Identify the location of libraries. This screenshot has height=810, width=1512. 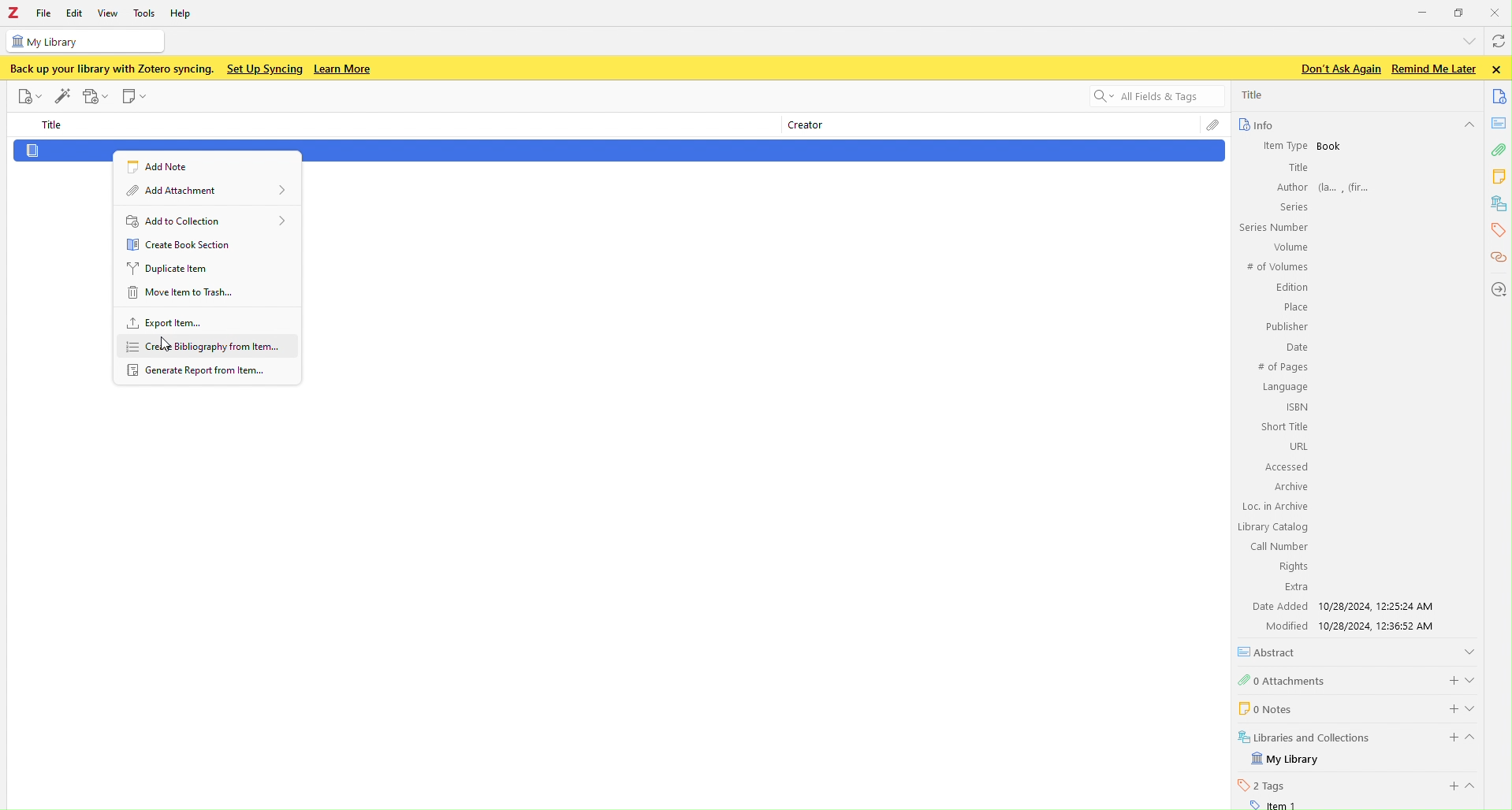
(1499, 204).